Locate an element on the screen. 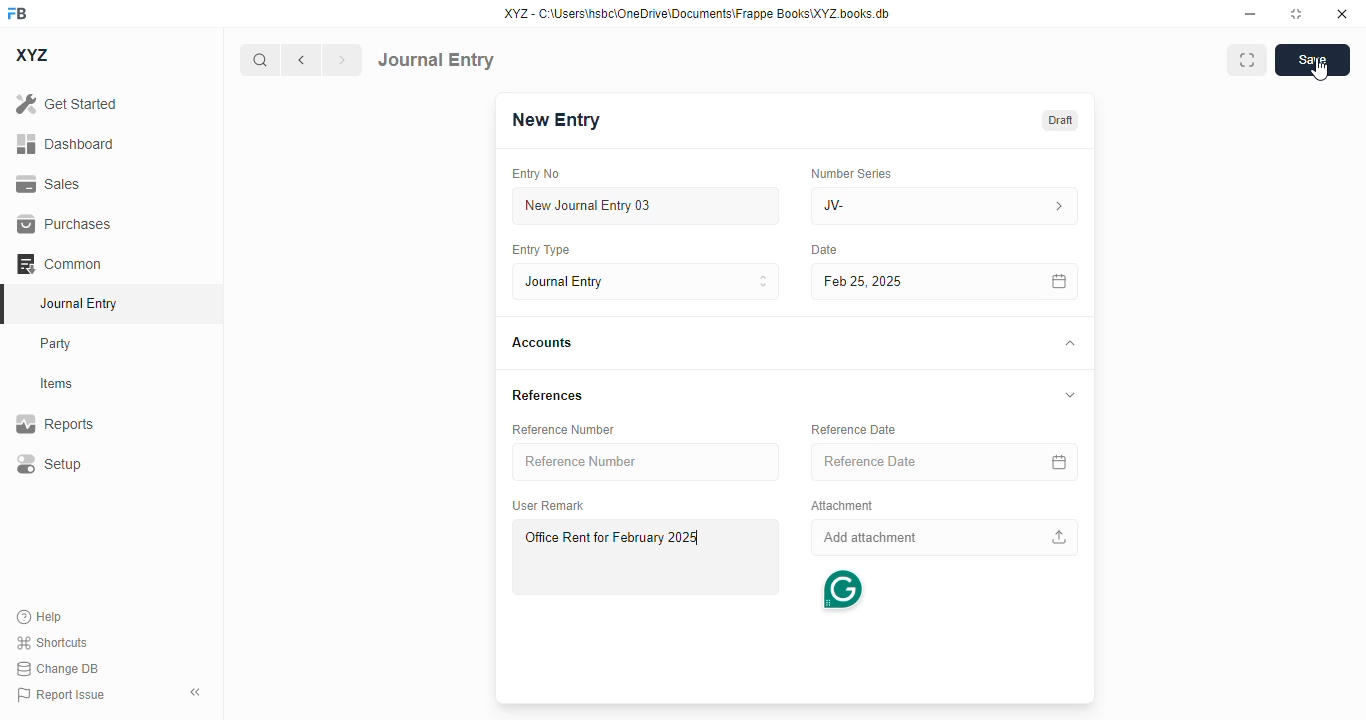  toggle expand/collapse is located at coordinates (1067, 393).